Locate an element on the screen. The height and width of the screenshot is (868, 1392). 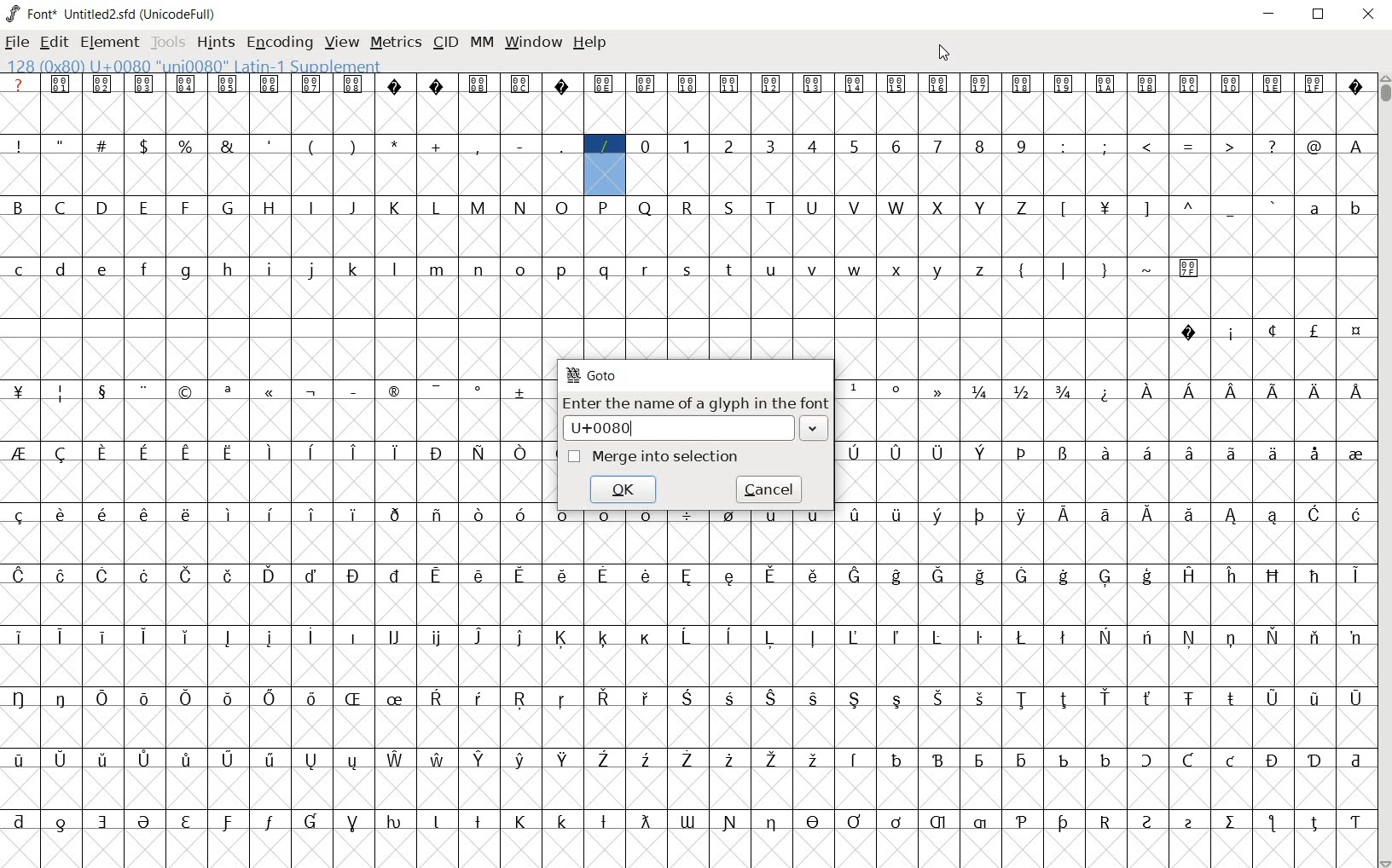
glyph is located at coordinates (519, 822).